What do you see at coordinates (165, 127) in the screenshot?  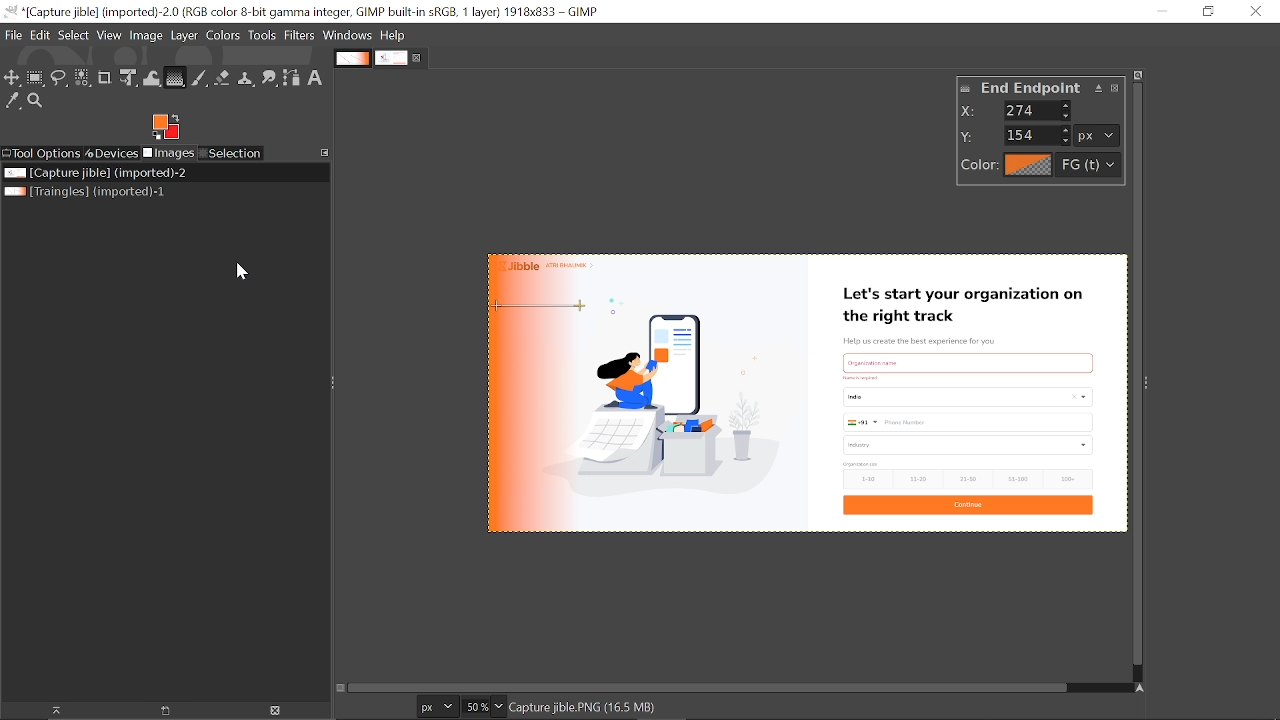 I see `Foreground color` at bounding box center [165, 127].